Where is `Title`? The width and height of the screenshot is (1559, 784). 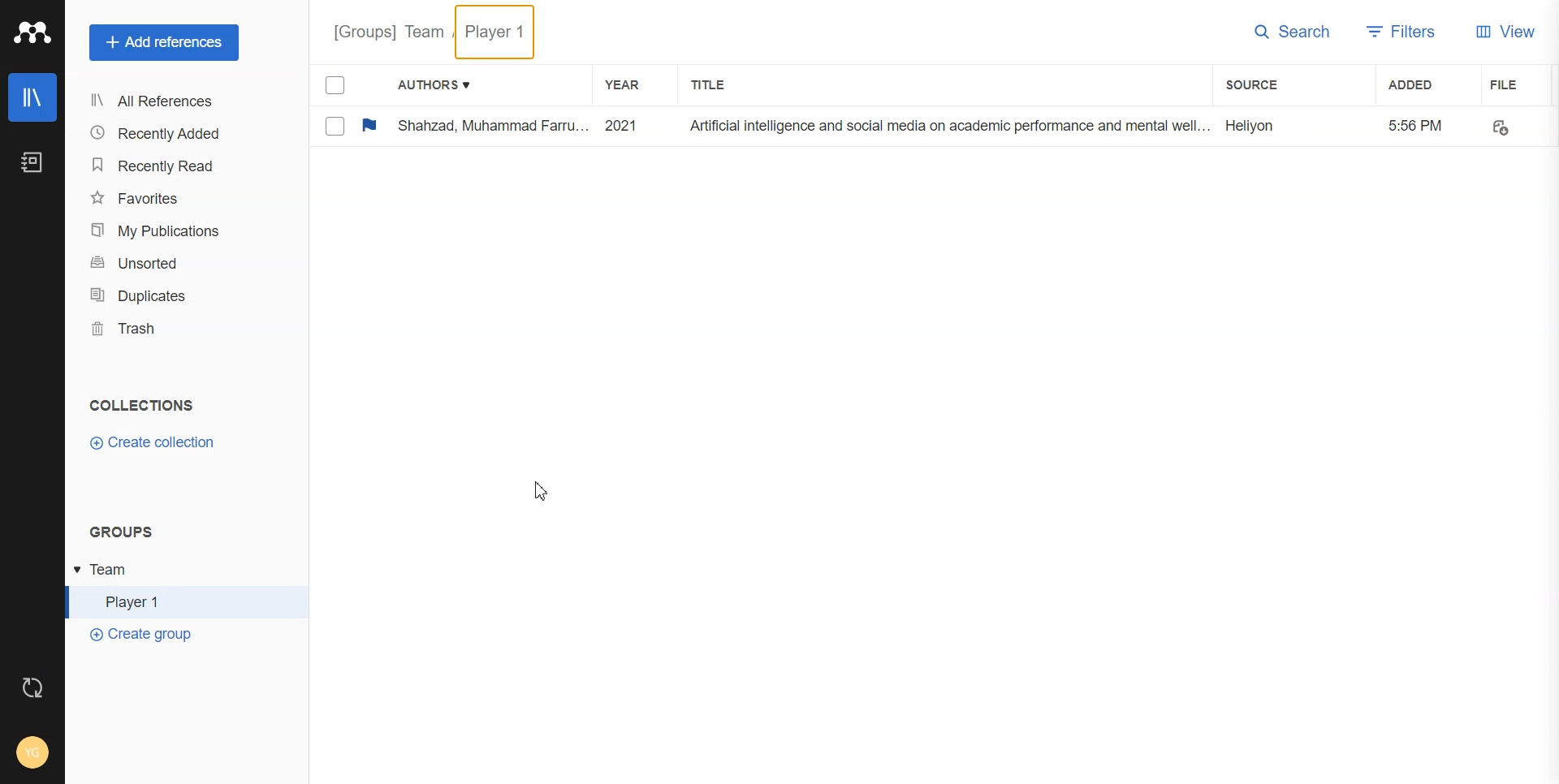
Title is located at coordinates (710, 83).